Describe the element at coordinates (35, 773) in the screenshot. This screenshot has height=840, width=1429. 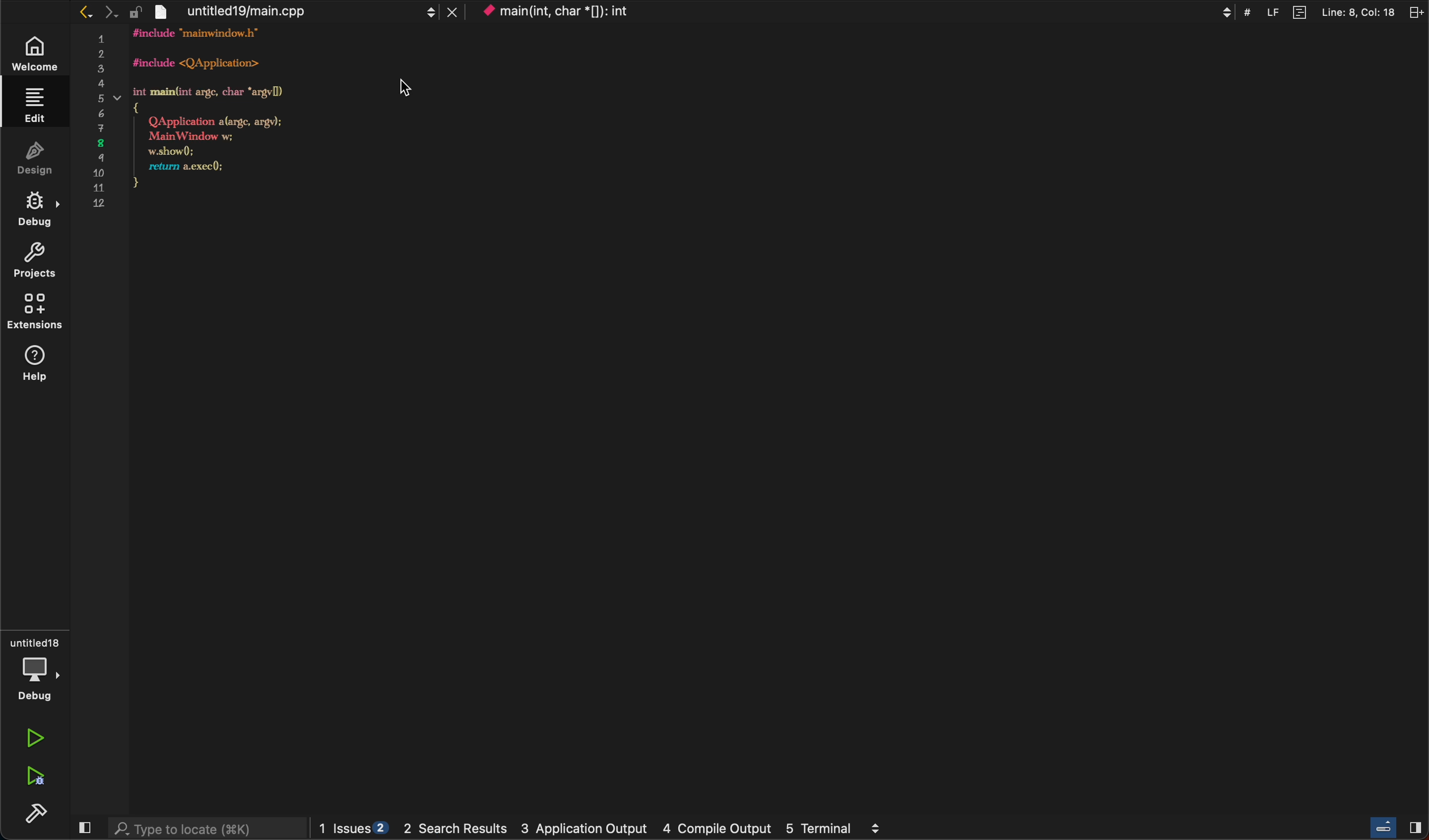
I see `run debug` at that location.